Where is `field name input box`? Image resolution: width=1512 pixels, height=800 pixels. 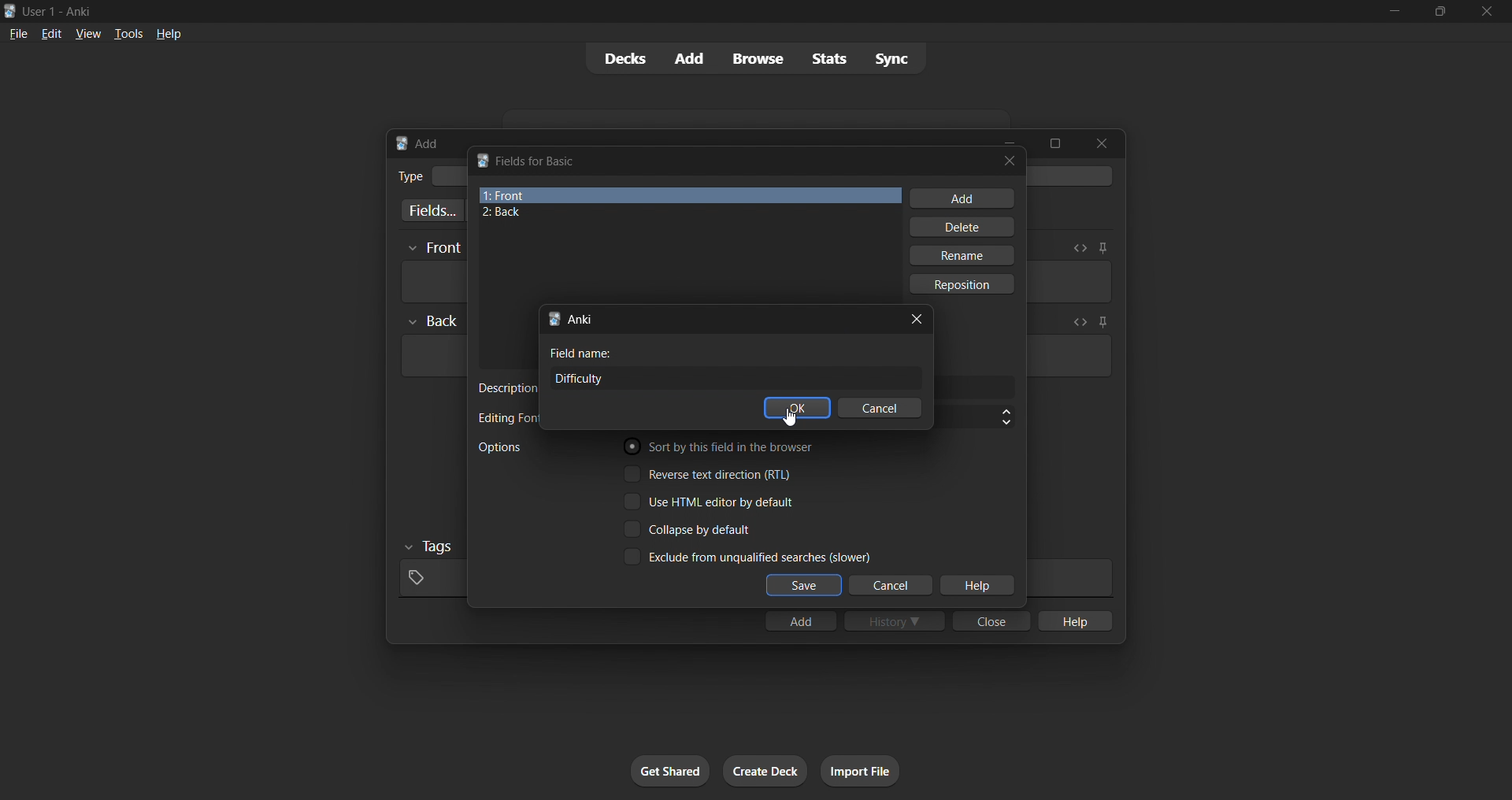
field name input box is located at coordinates (736, 378).